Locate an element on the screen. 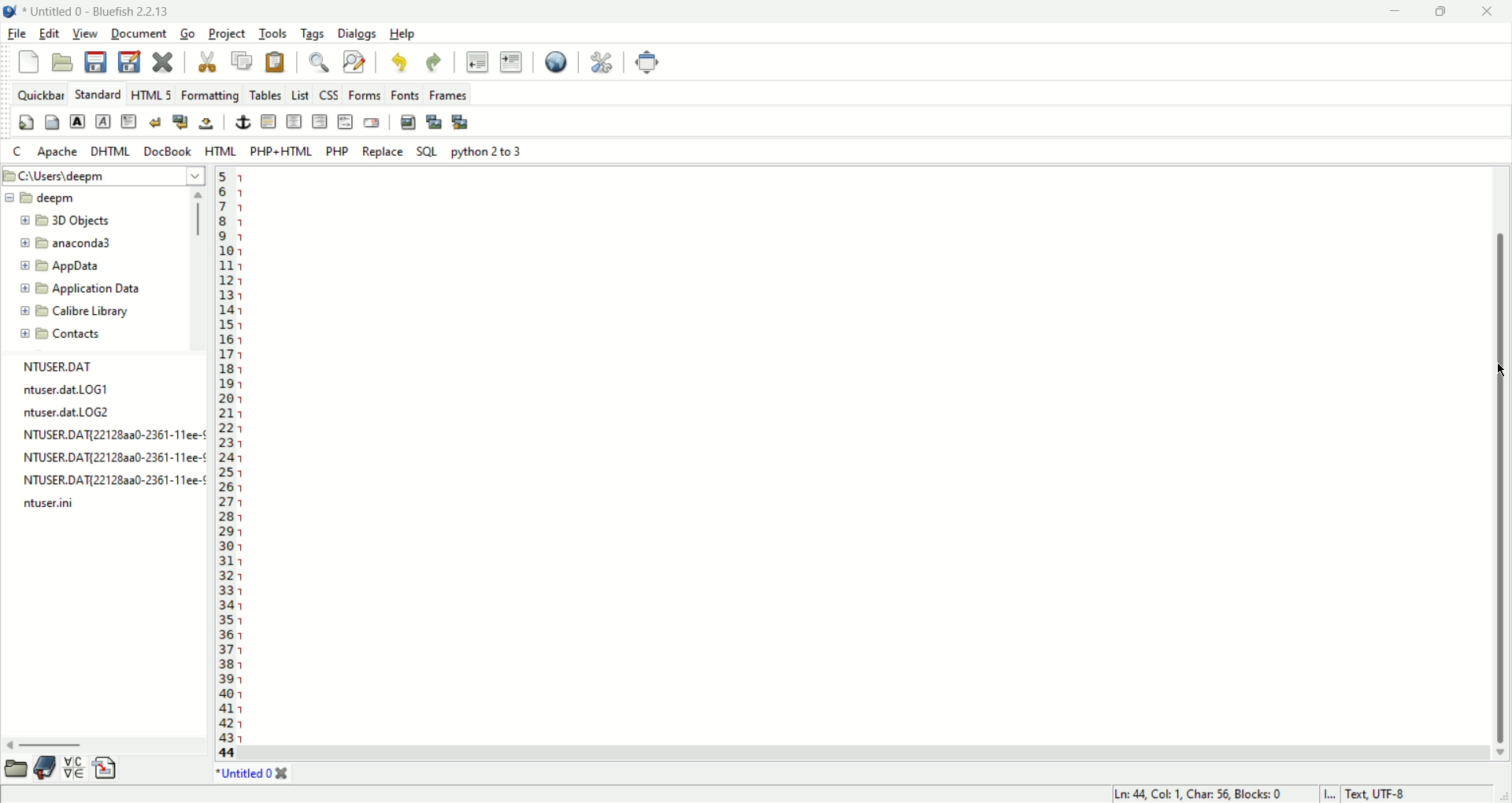 This screenshot has width=1512, height=803. anchor is located at coordinates (243, 122).